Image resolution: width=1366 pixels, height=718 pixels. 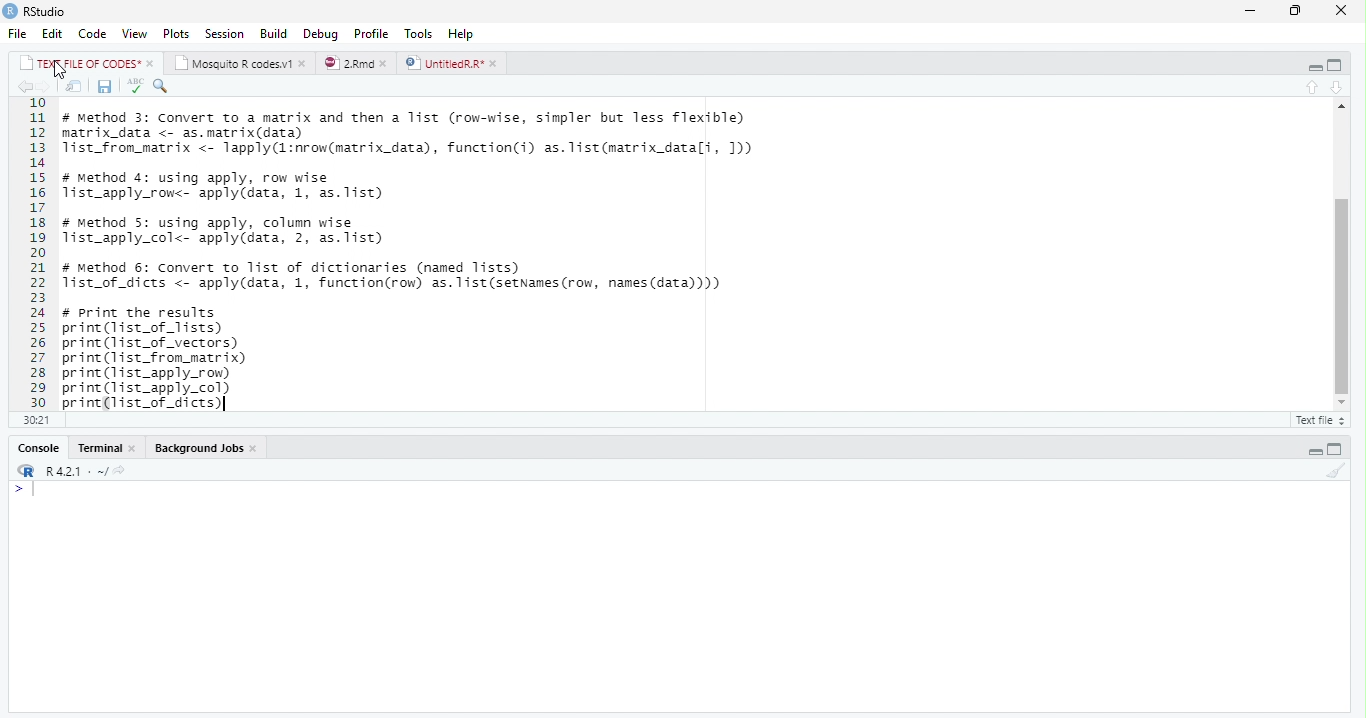 What do you see at coordinates (1251, 10) in the screenshot?
I see `Minimize` at bounding box center [1251, 10].